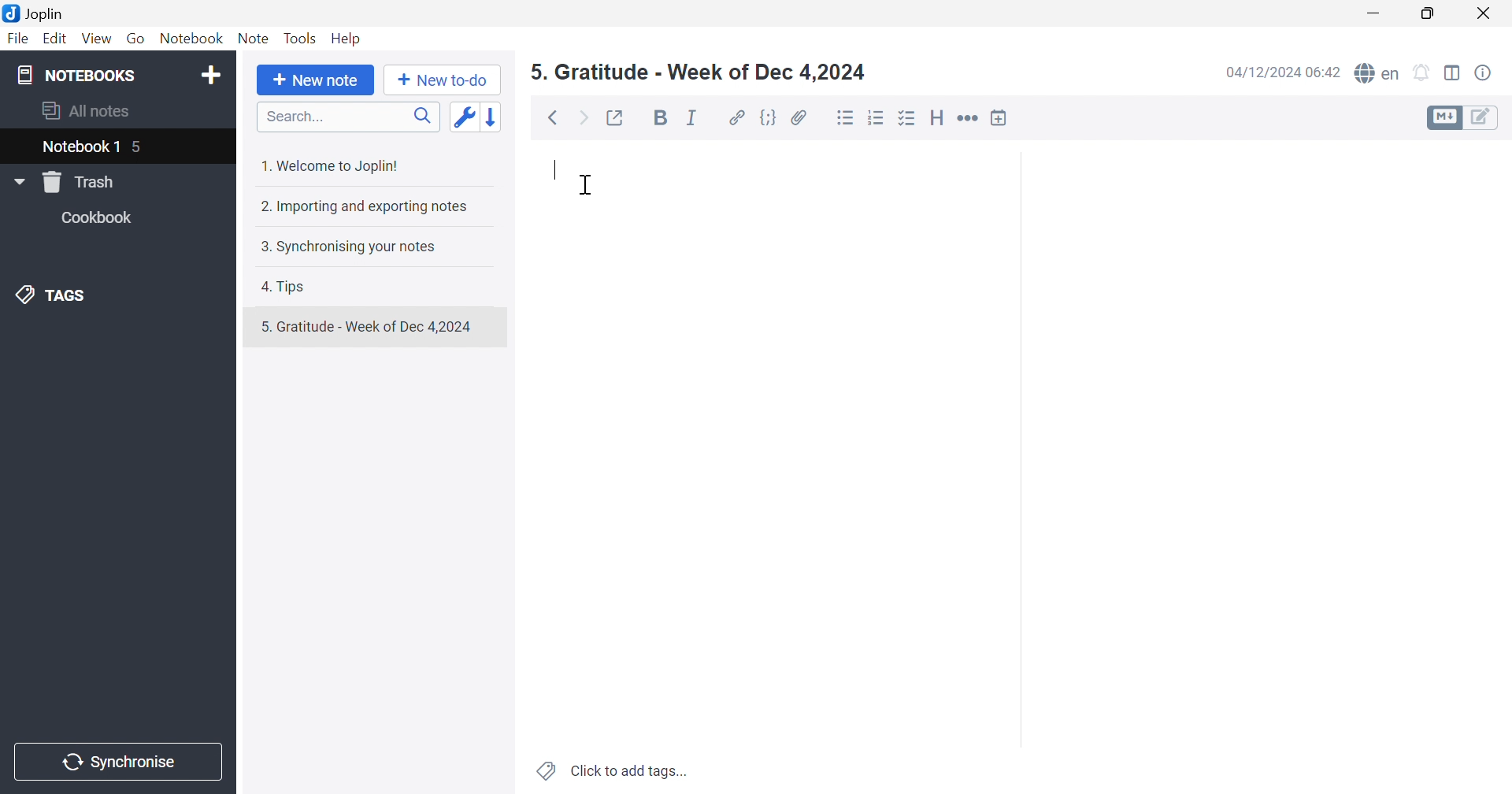  I want to click on Insert time, so click(1003, 117).